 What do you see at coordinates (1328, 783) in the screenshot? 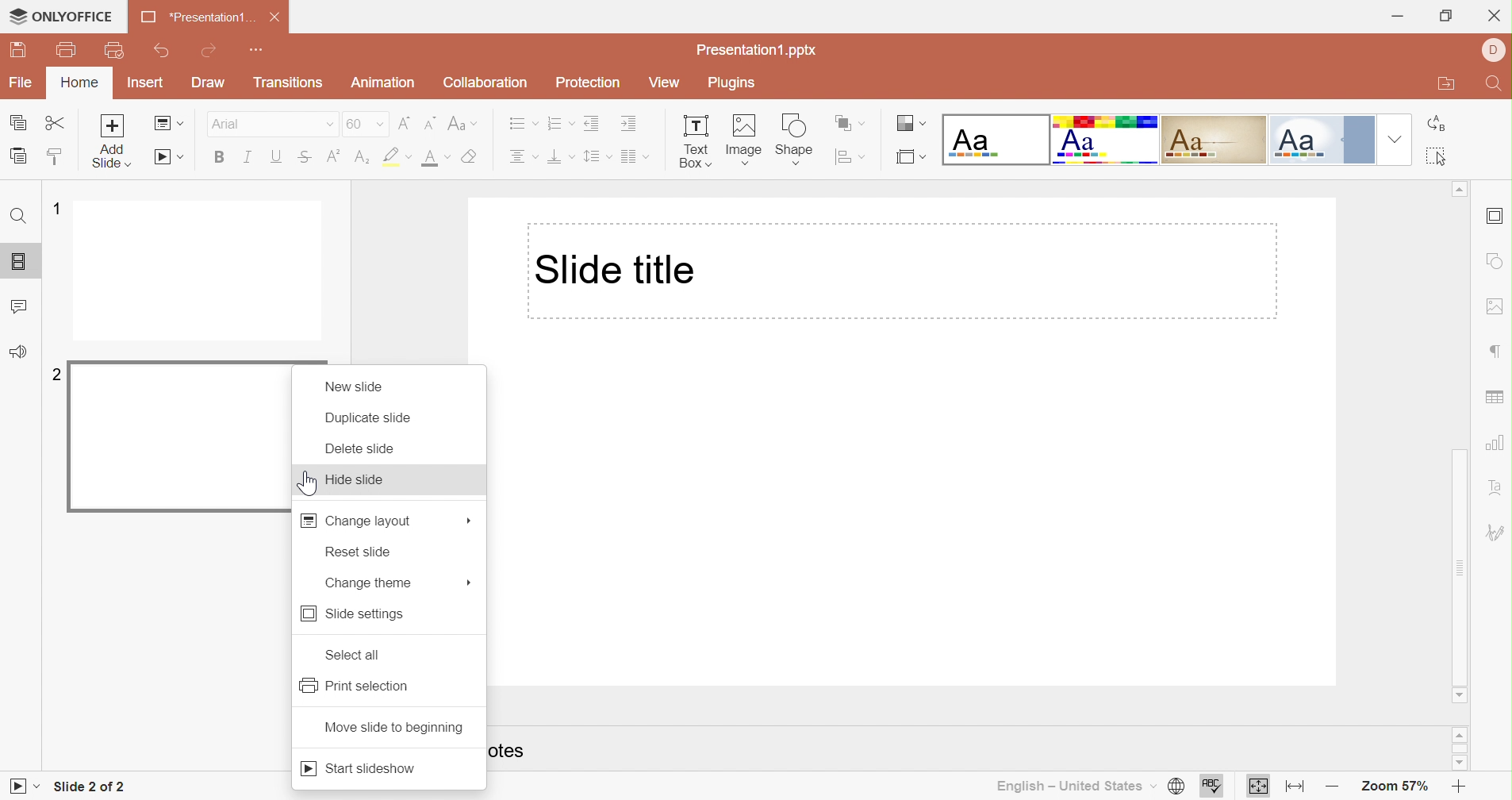
I see `Zoom out` at bounding box center [1328, 783].